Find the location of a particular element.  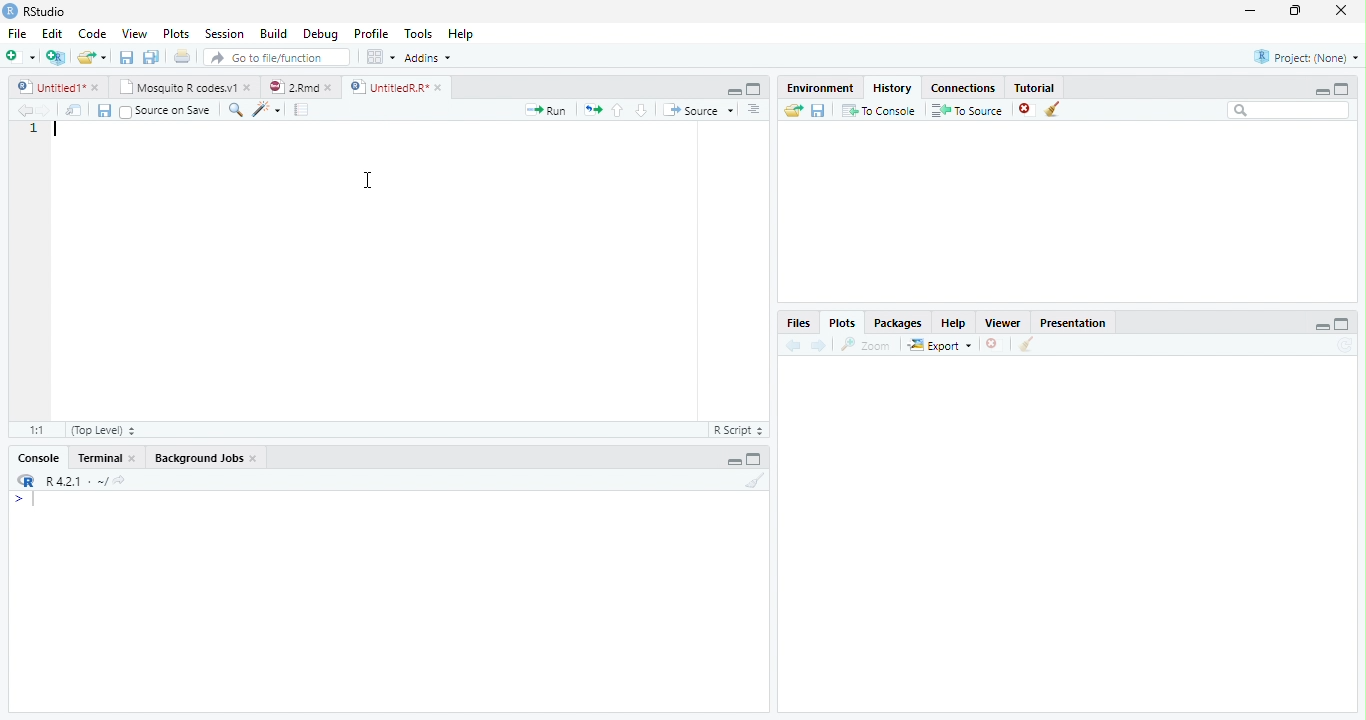

Addins is located at coordinates (427, 57).